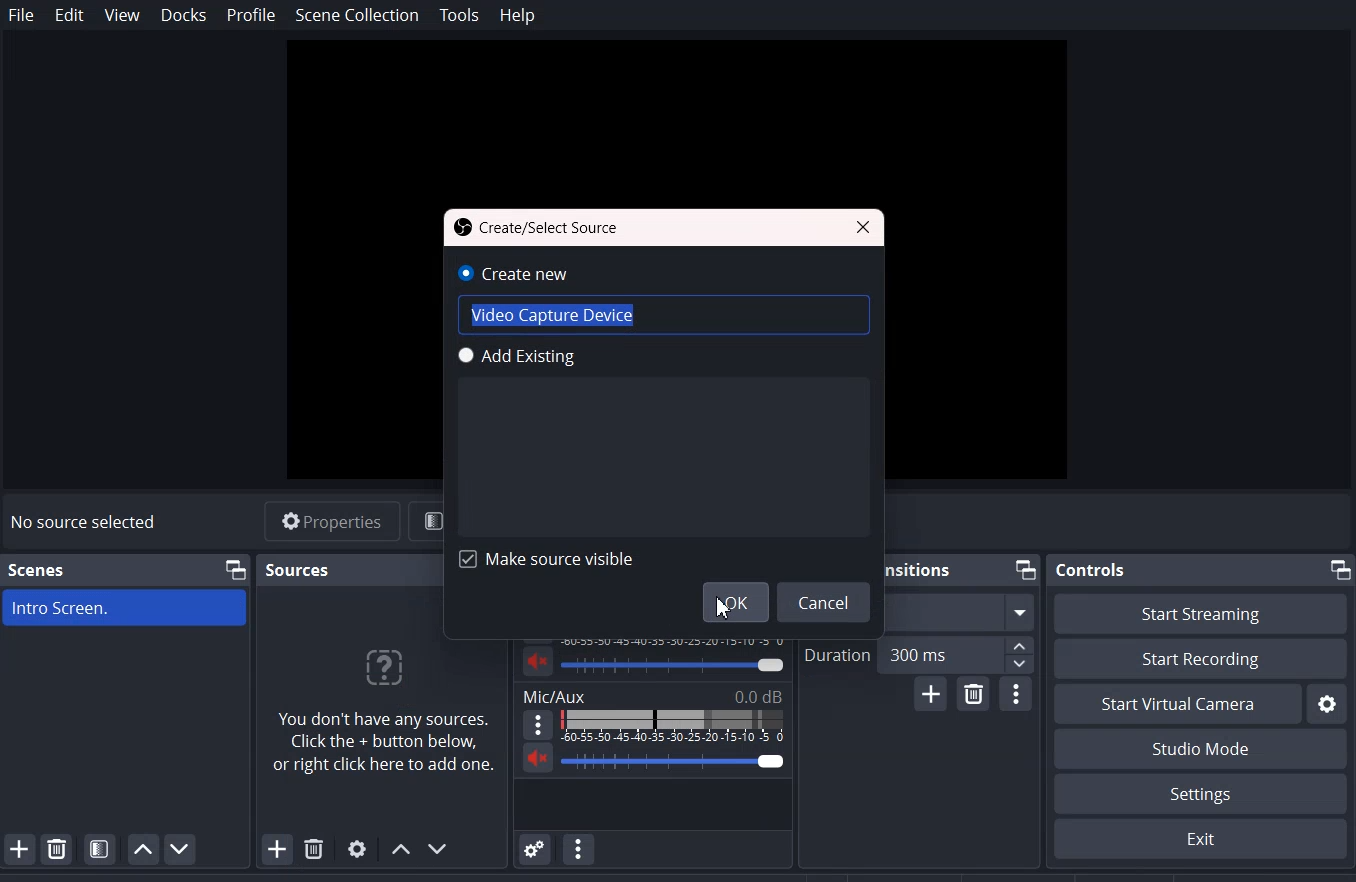 The image size is (1356, 882). What do you see at coordinates (1199, 613) in the screenshot?
I see `Start Streaming` at bounding box center [1199, 613].